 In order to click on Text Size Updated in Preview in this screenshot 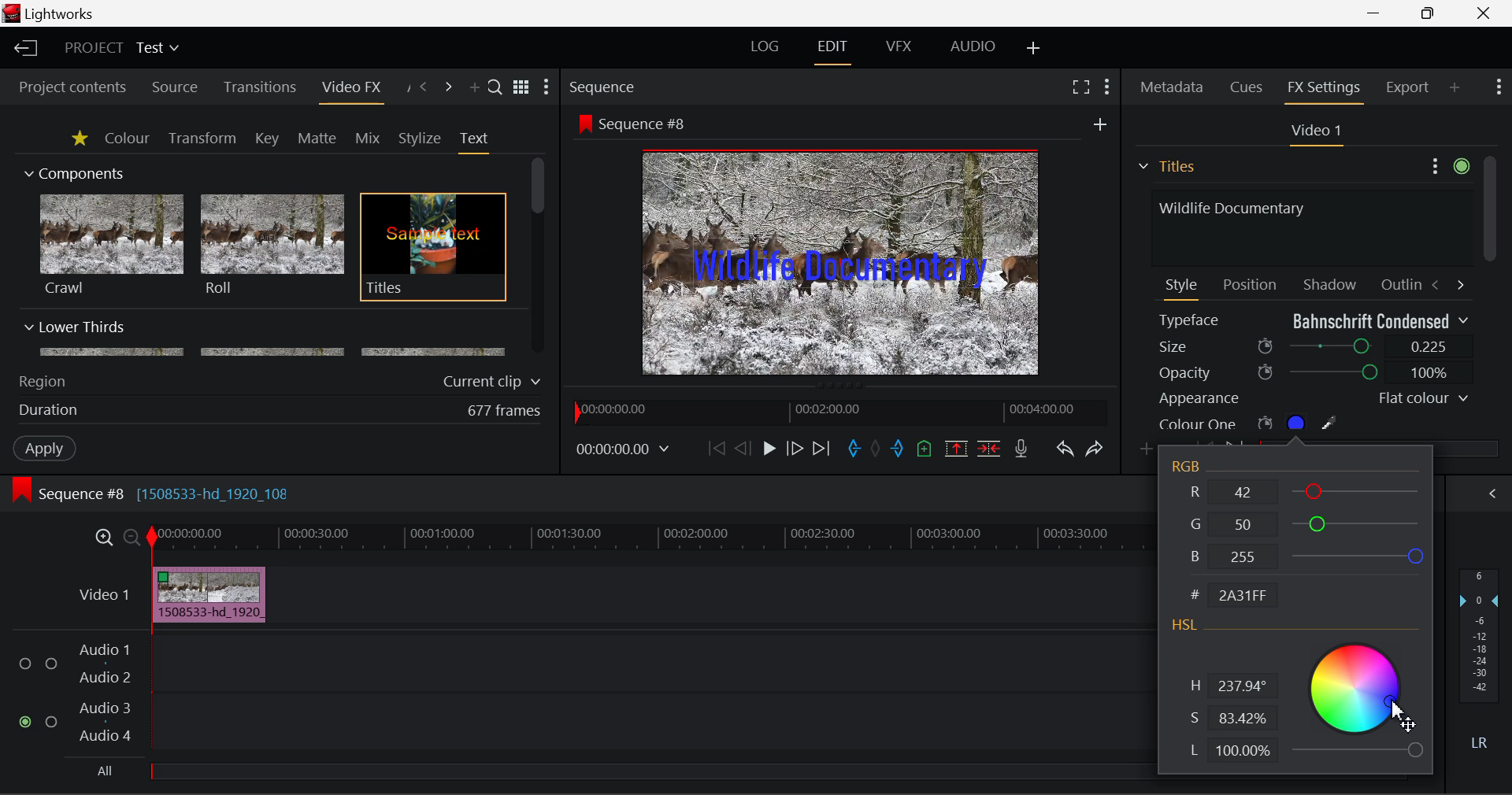, I will do `click(844, 265)`.